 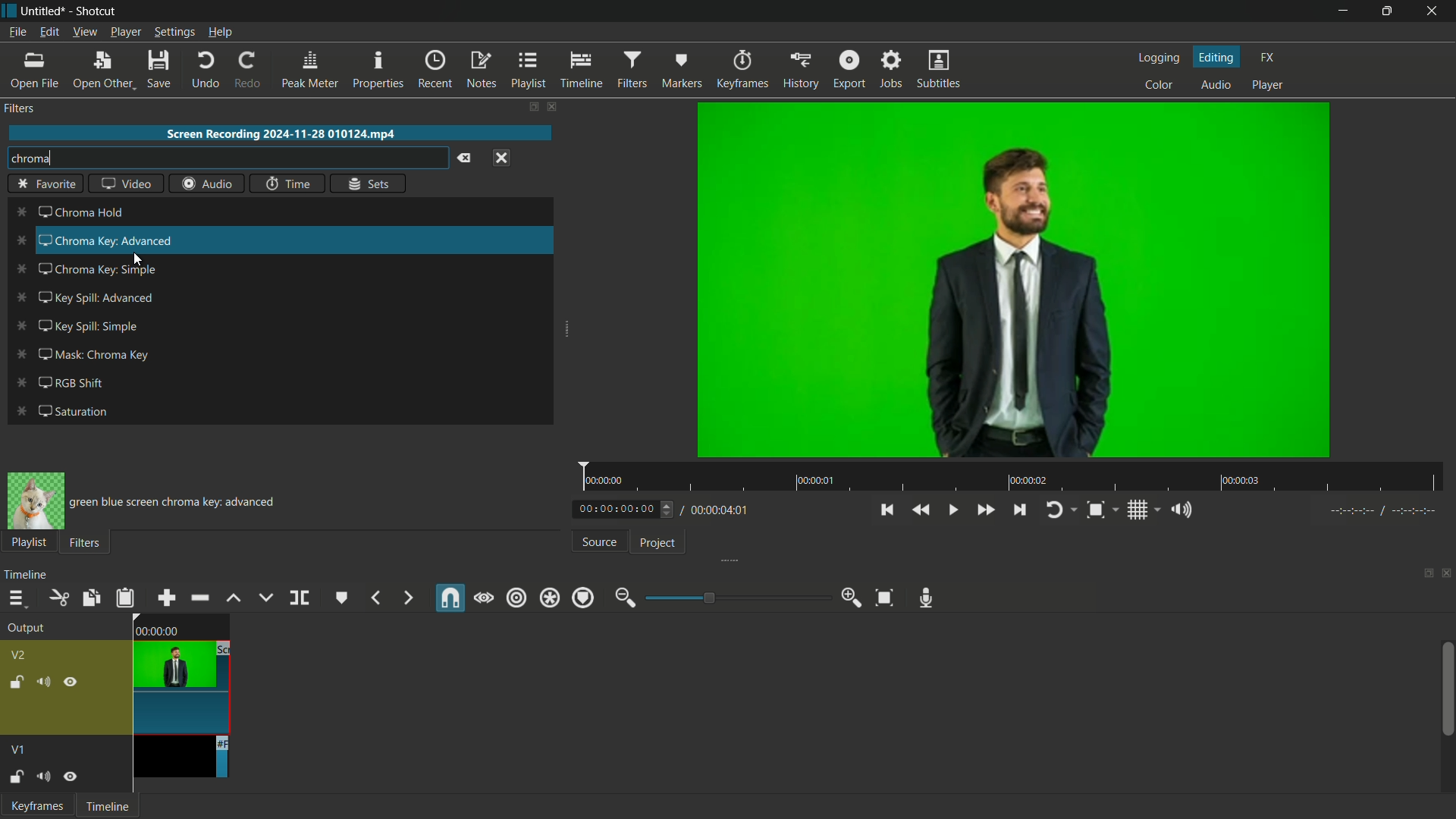 I want to click on edit menu, so click(x=49, y=32).